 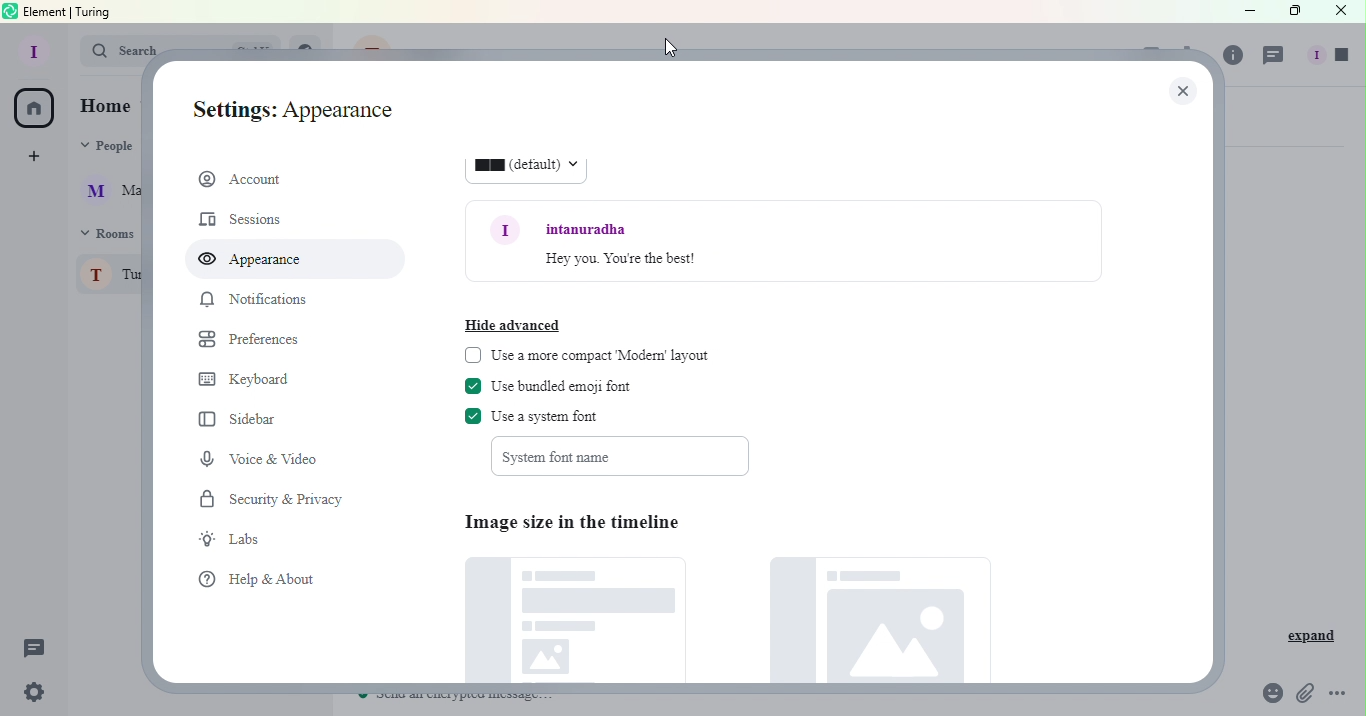 What do you see at coordinates (1176, 89) in the screenshot?
I see `Close` at bounding box center [1176, 89].